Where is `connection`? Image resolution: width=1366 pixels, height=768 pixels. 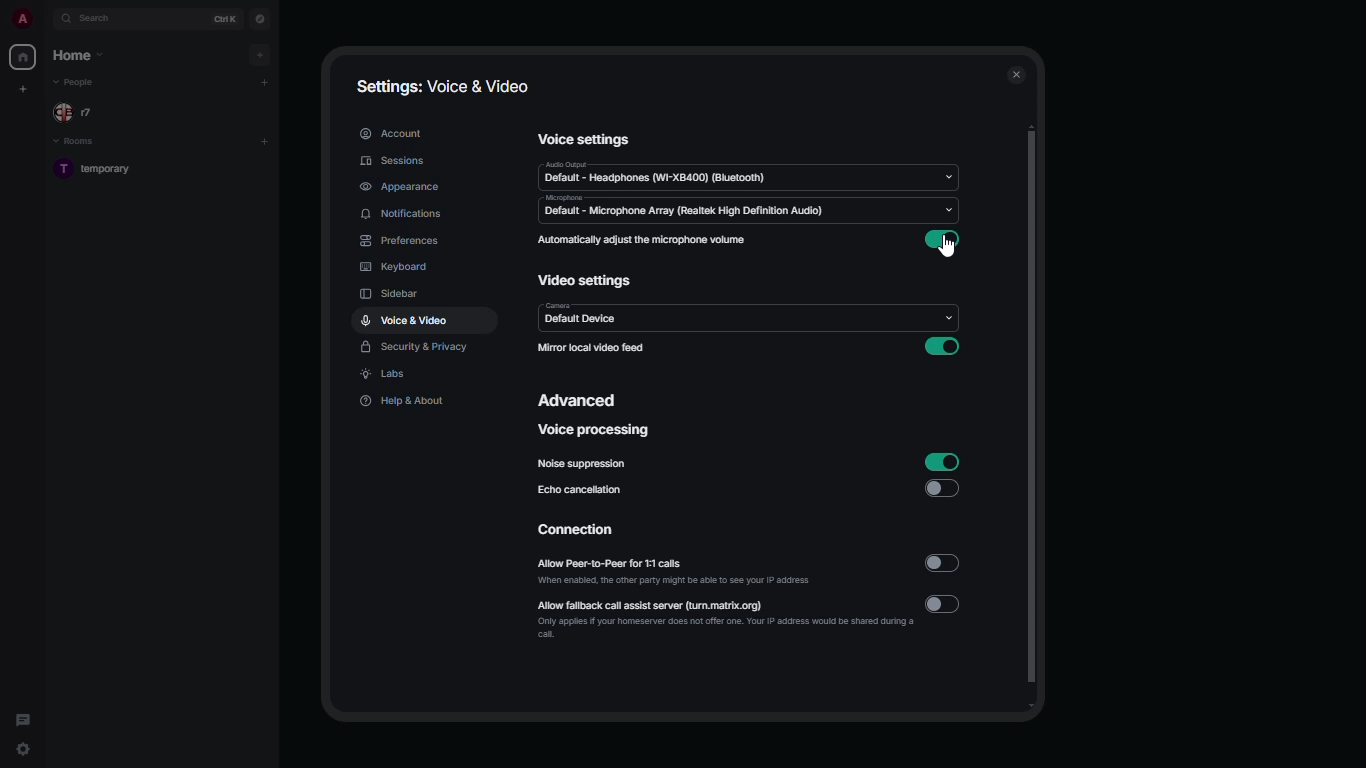 connection is located at coordinates (584, 531).